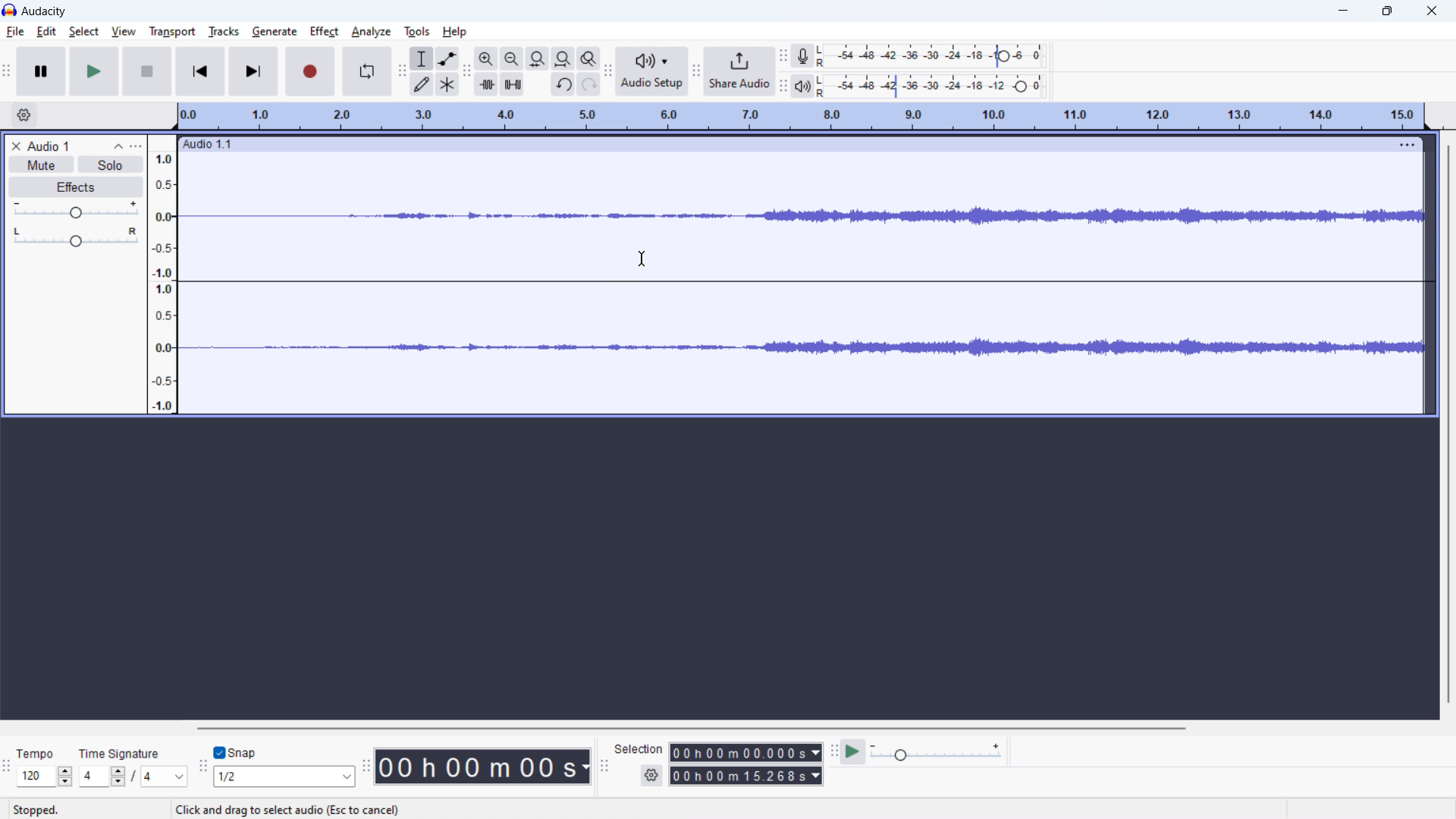 This screenshot has height=819, width=1456. Describe the element at coordinates (803, 117) in the screenshot. I see `timeline` at that location.